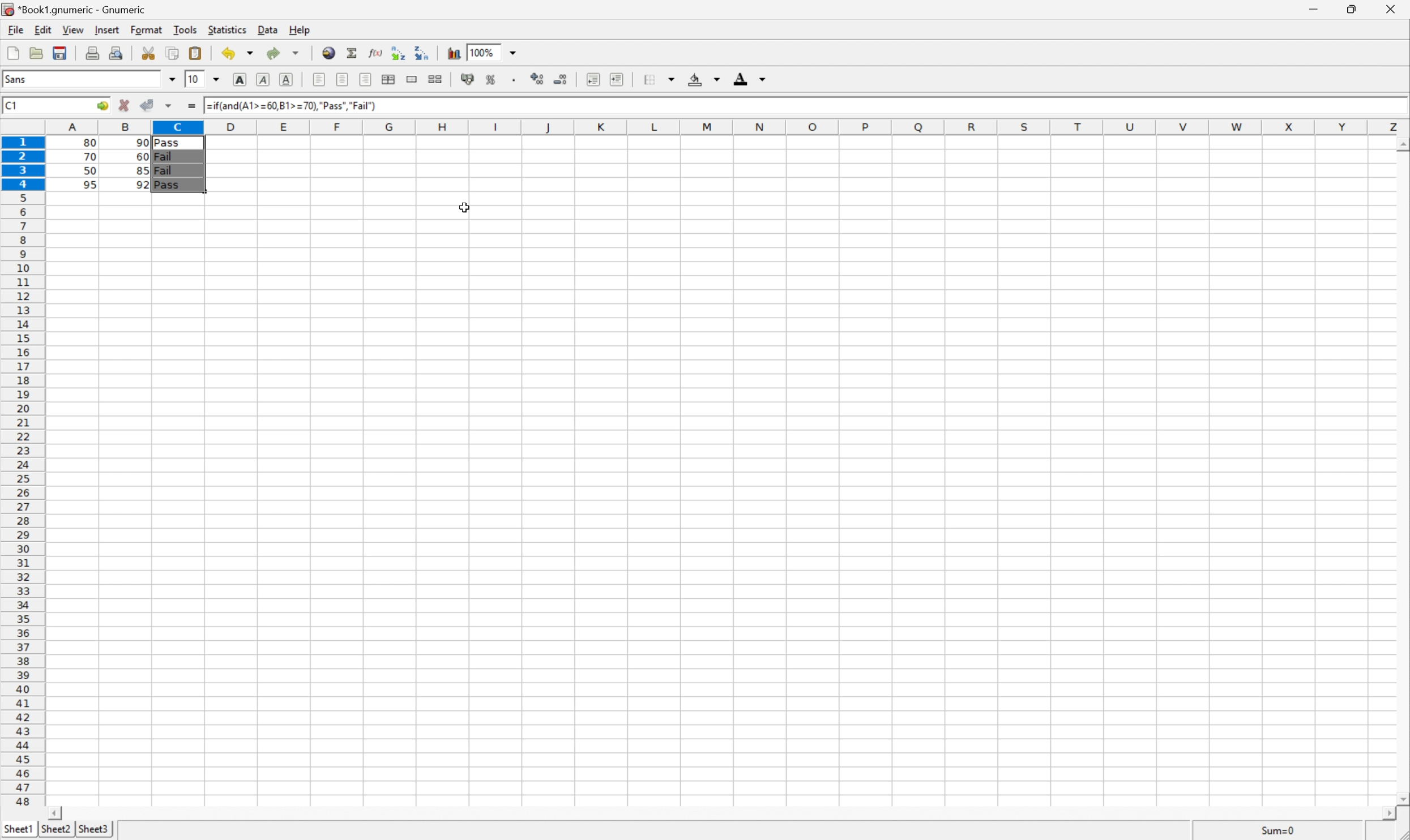 The width and height of the screenshot is (1410, 840). I want to click on Bold, so click(240, 78).